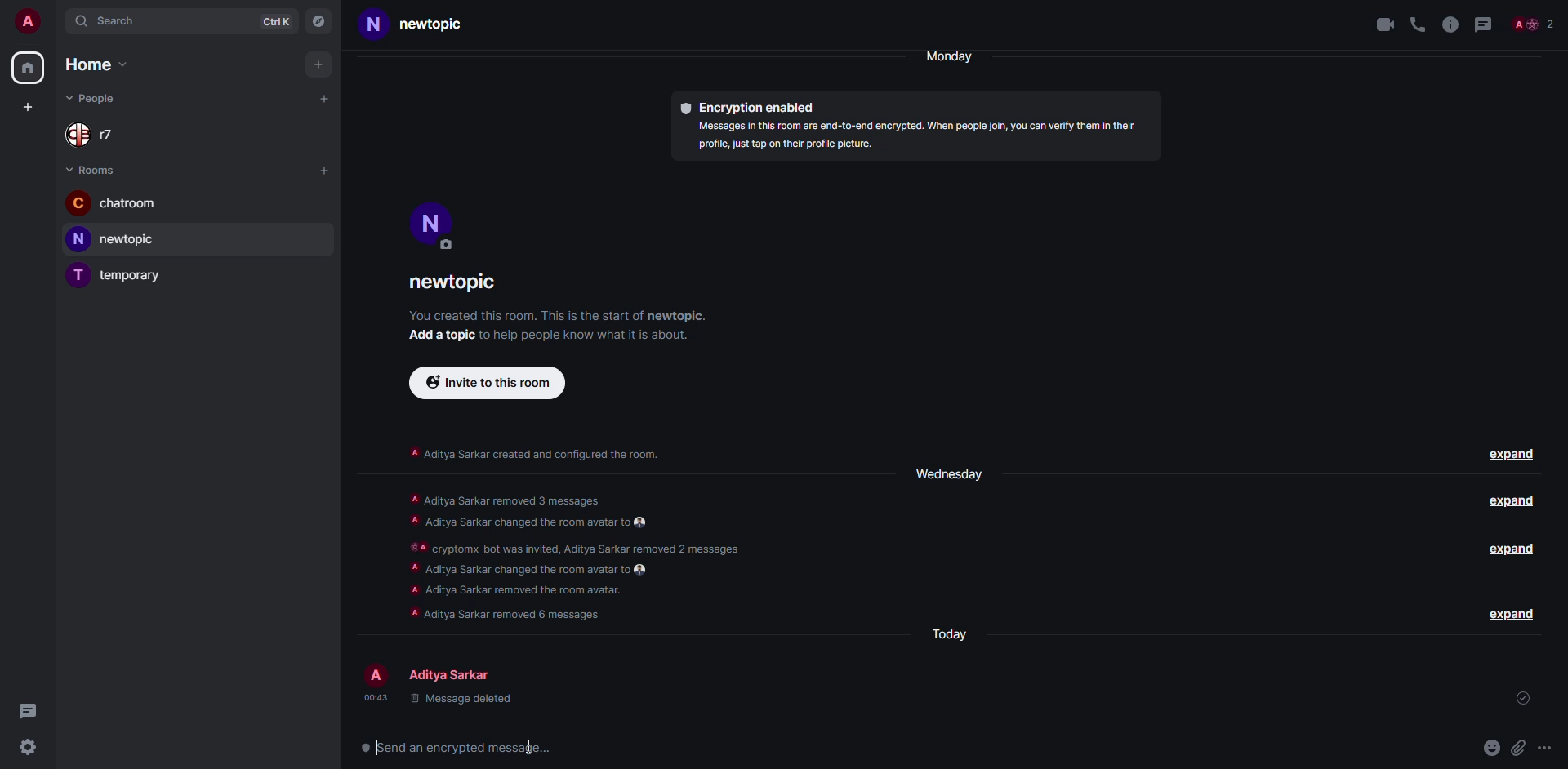 The image size is (1568, 769). I want to click on room, so click(113, 202).